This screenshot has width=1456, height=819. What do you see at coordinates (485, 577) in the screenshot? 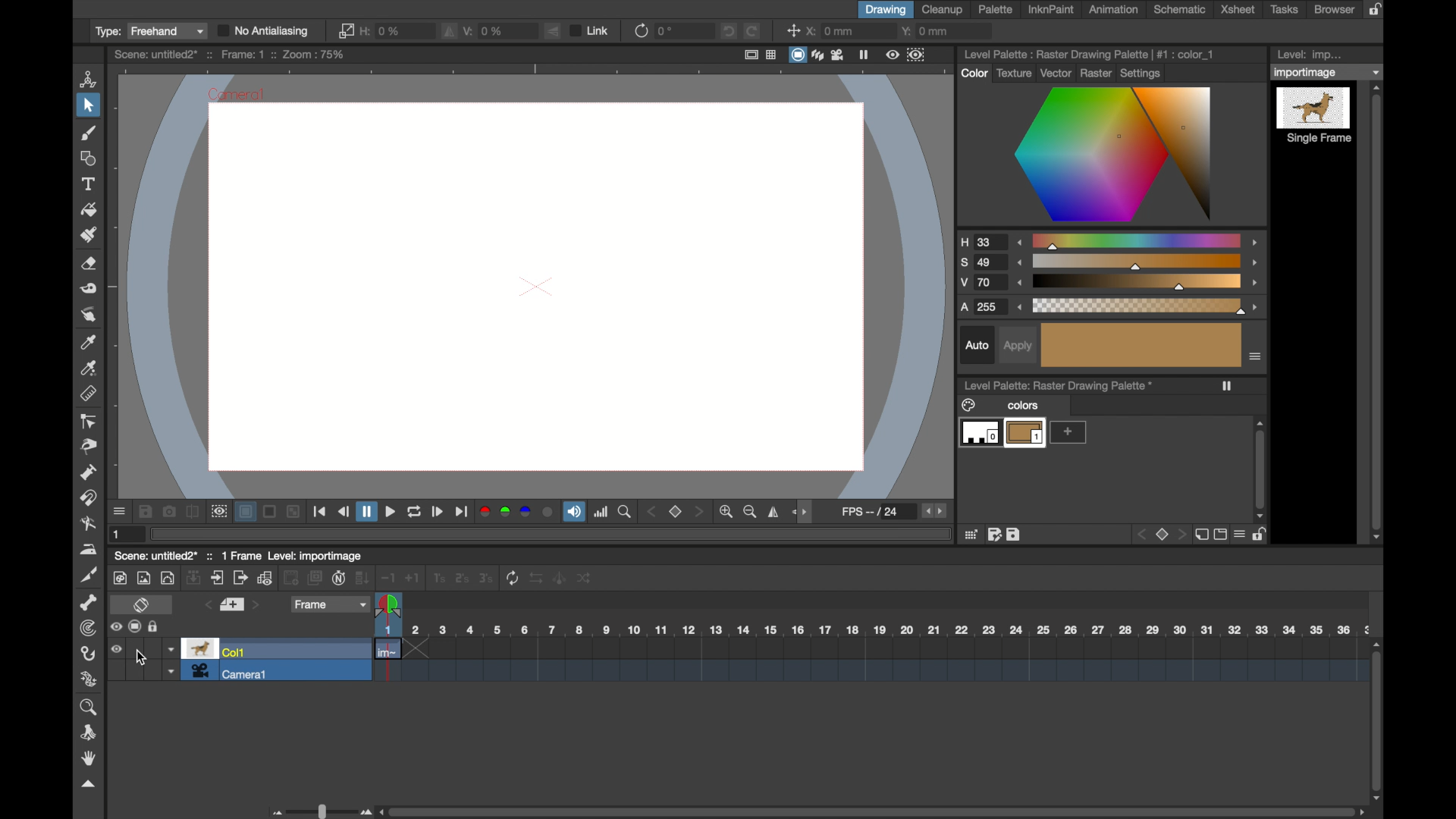
I see `3` at bounding box center [485, 577].